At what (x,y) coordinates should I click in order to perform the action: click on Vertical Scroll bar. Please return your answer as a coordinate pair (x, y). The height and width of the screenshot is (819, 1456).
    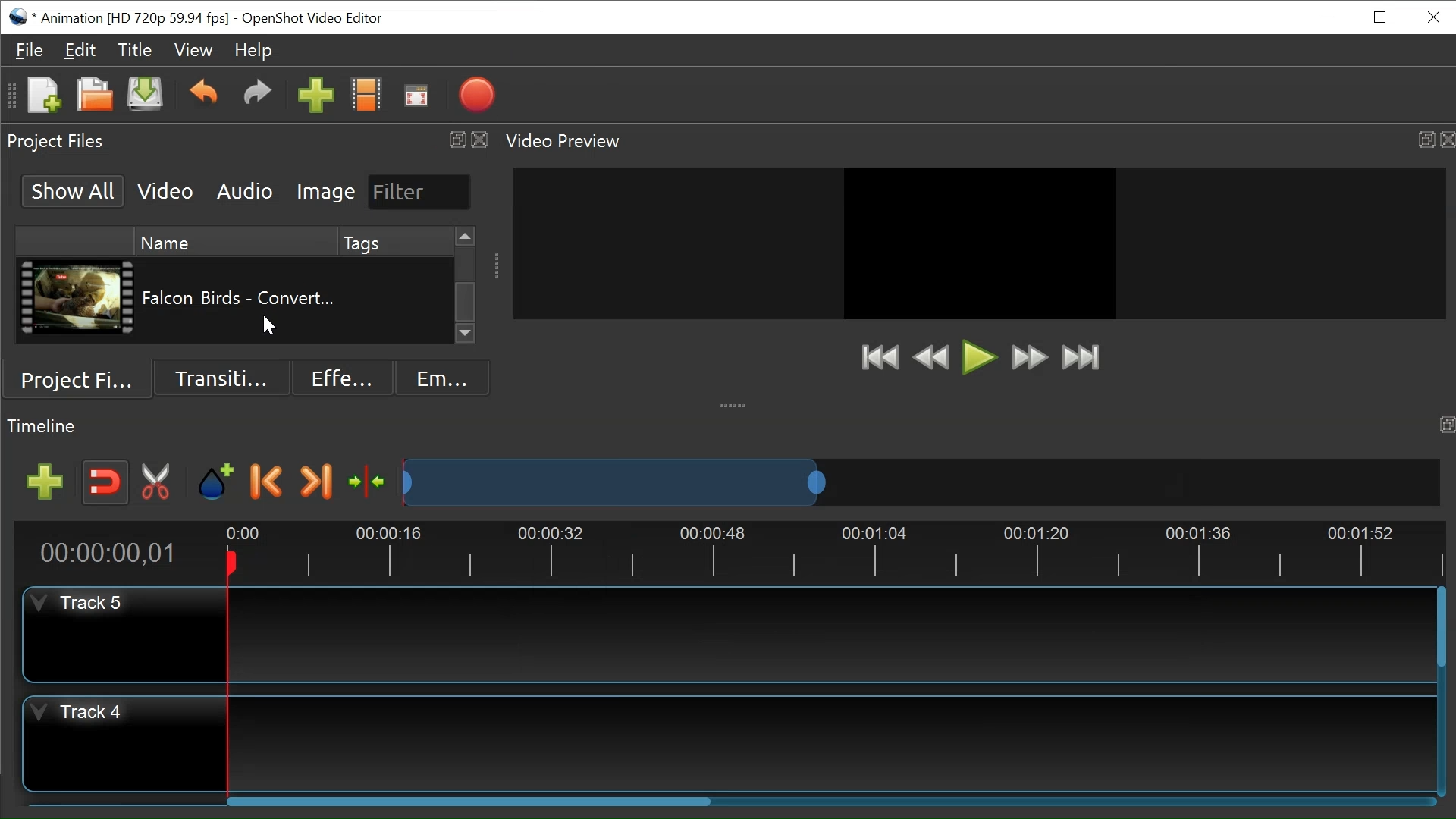
    Looking at the image, I should click on (1443, 629).